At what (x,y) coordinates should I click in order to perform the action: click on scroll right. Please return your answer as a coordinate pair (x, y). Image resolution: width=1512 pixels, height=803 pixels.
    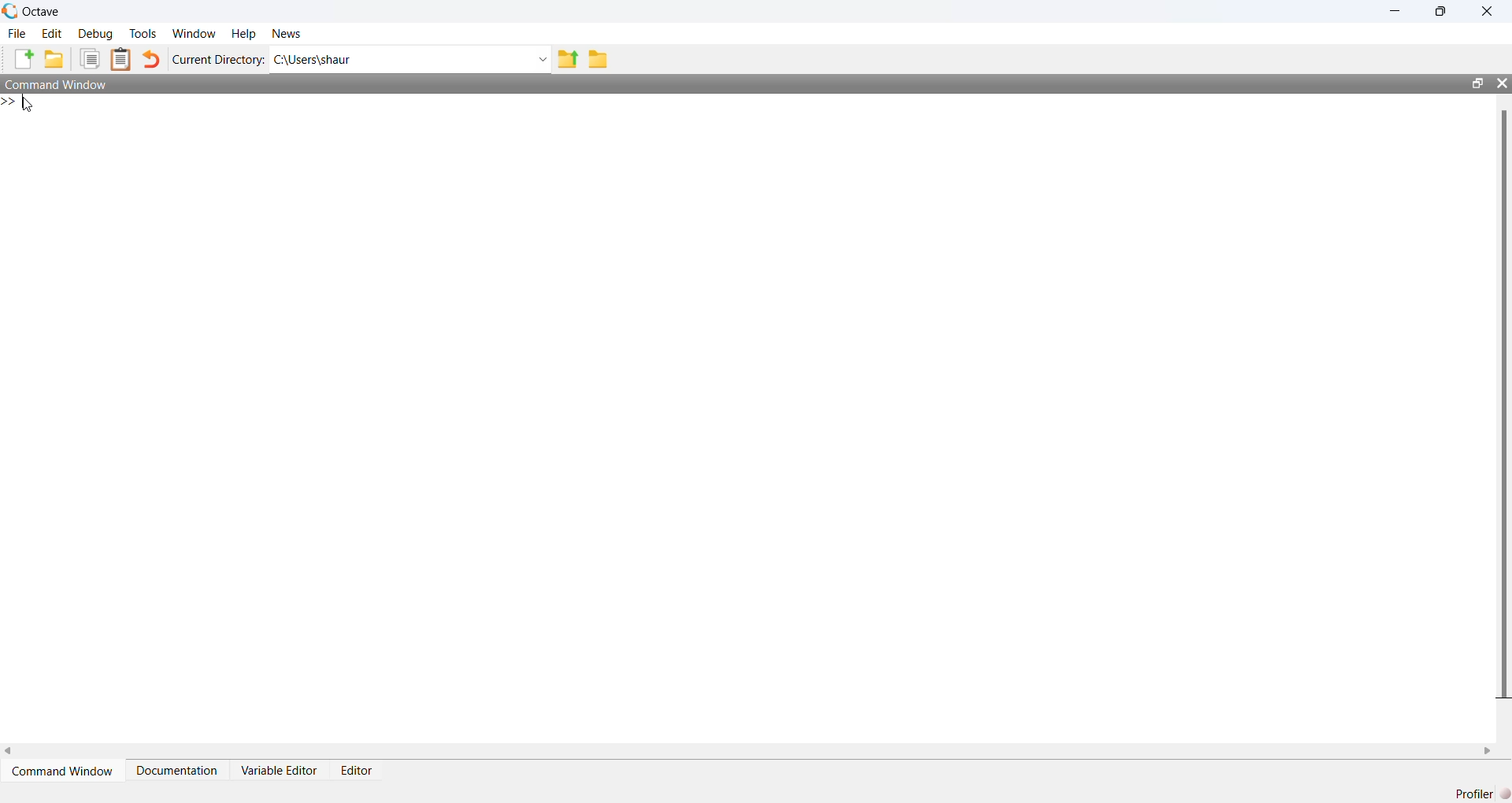
    Looking at the image, I should click on (1488, 752).